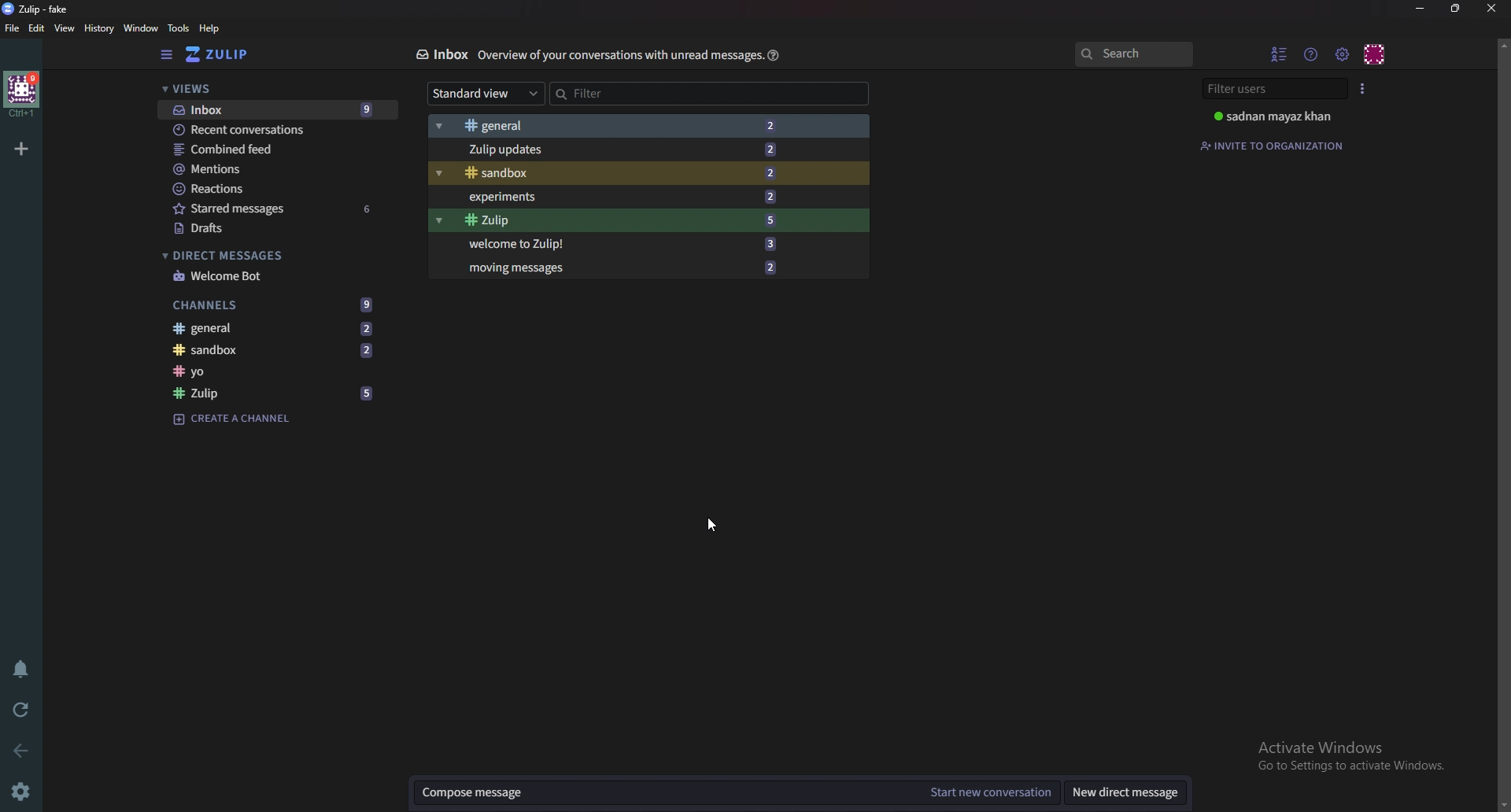 This screenshot has width=1511, height=812. What do you see at coordinates (619, 54) in the screenshot?
I see `Info` at bounding box center [619, 54].